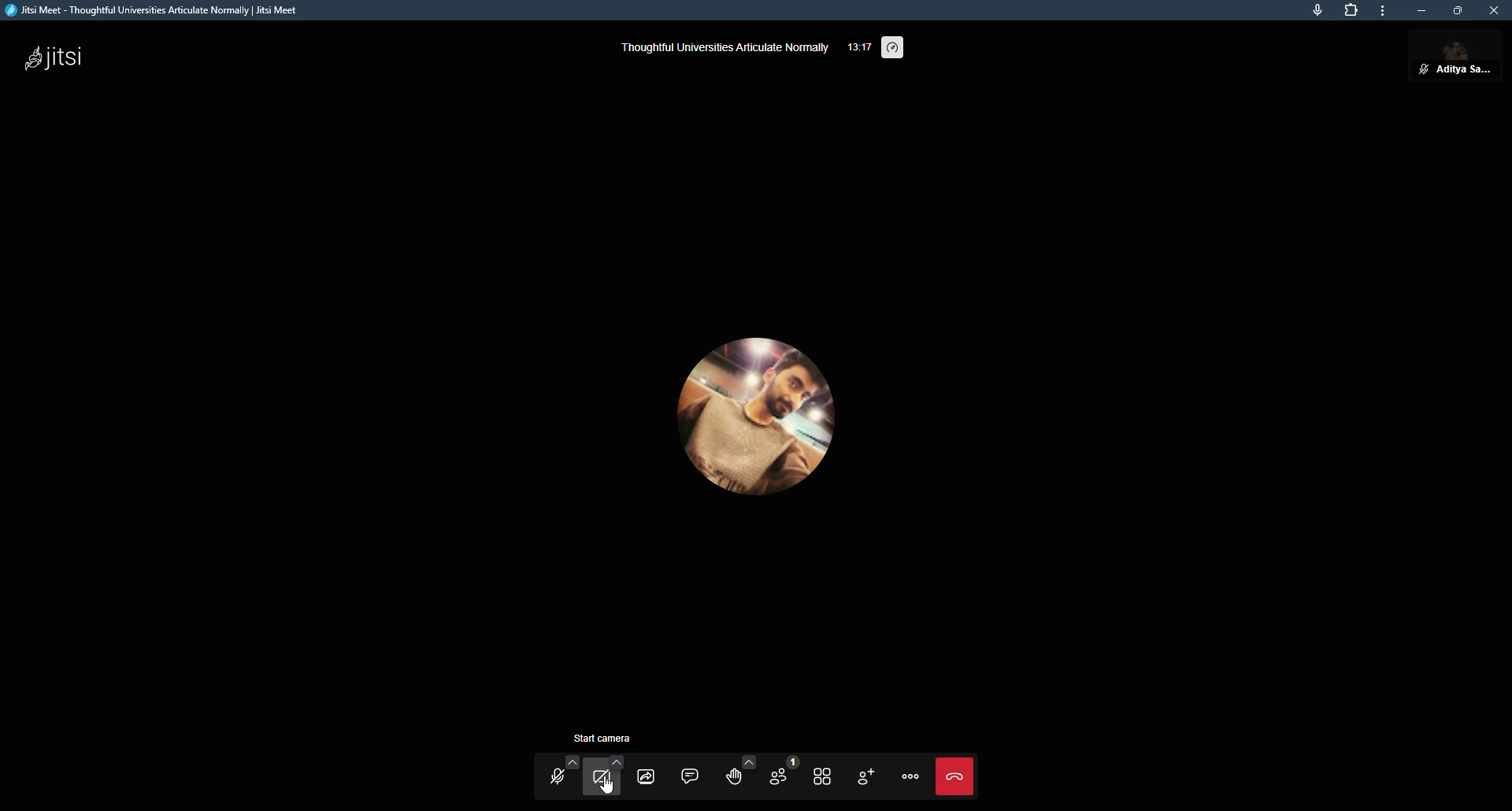 The height and width of the screenshot is (811, 1512). What do you see at coordinates (910, 776) in the screenshot?
I see `more actions` at bounding box center [910, 776].